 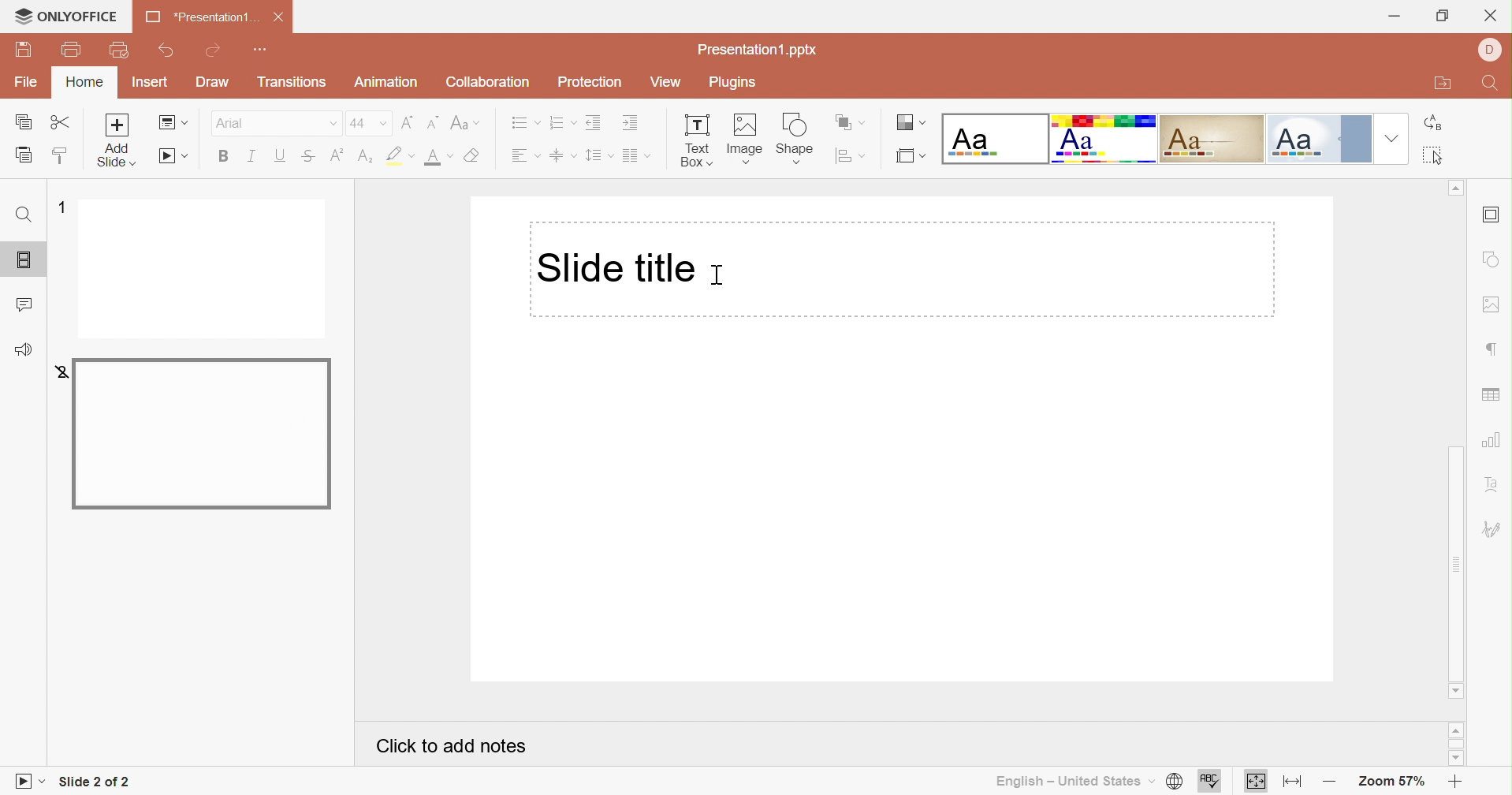 I want to click on Slide 1 preview, so click(x=201, y=268).